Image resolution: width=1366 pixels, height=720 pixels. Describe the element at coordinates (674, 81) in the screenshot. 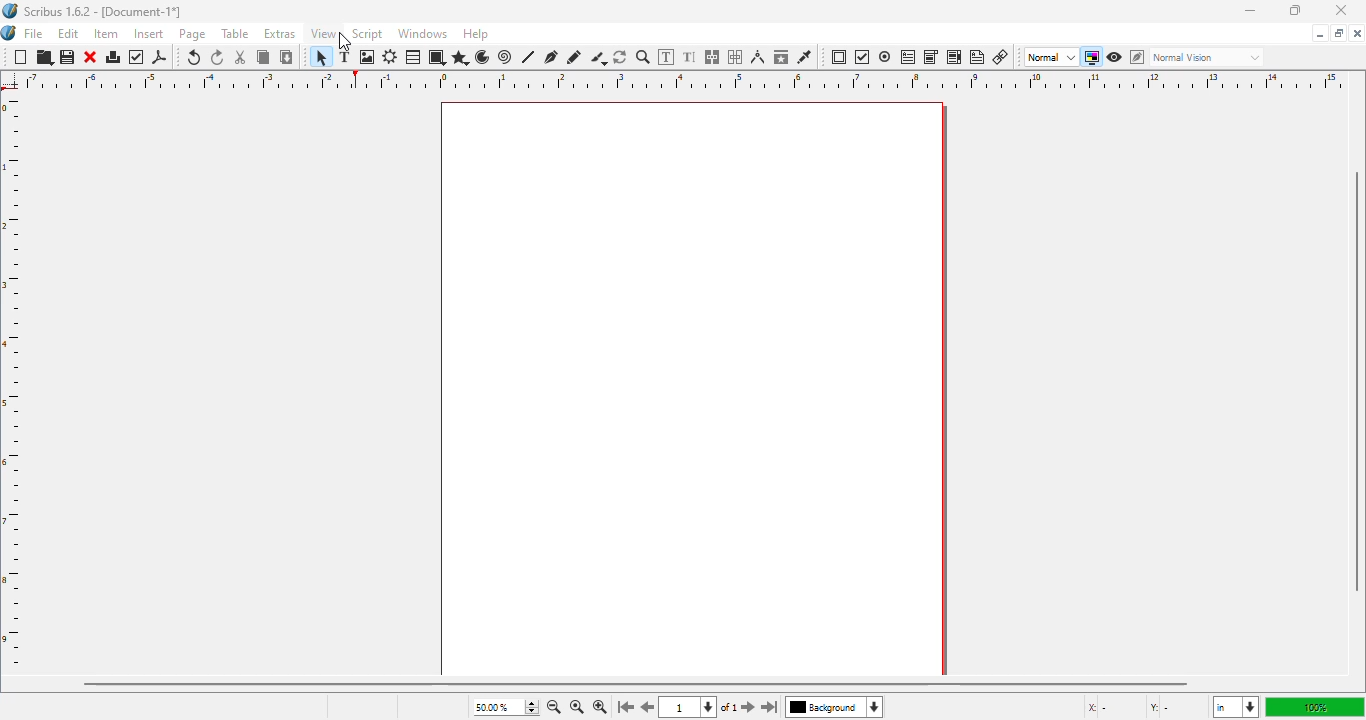

I see `ruler` at that location.